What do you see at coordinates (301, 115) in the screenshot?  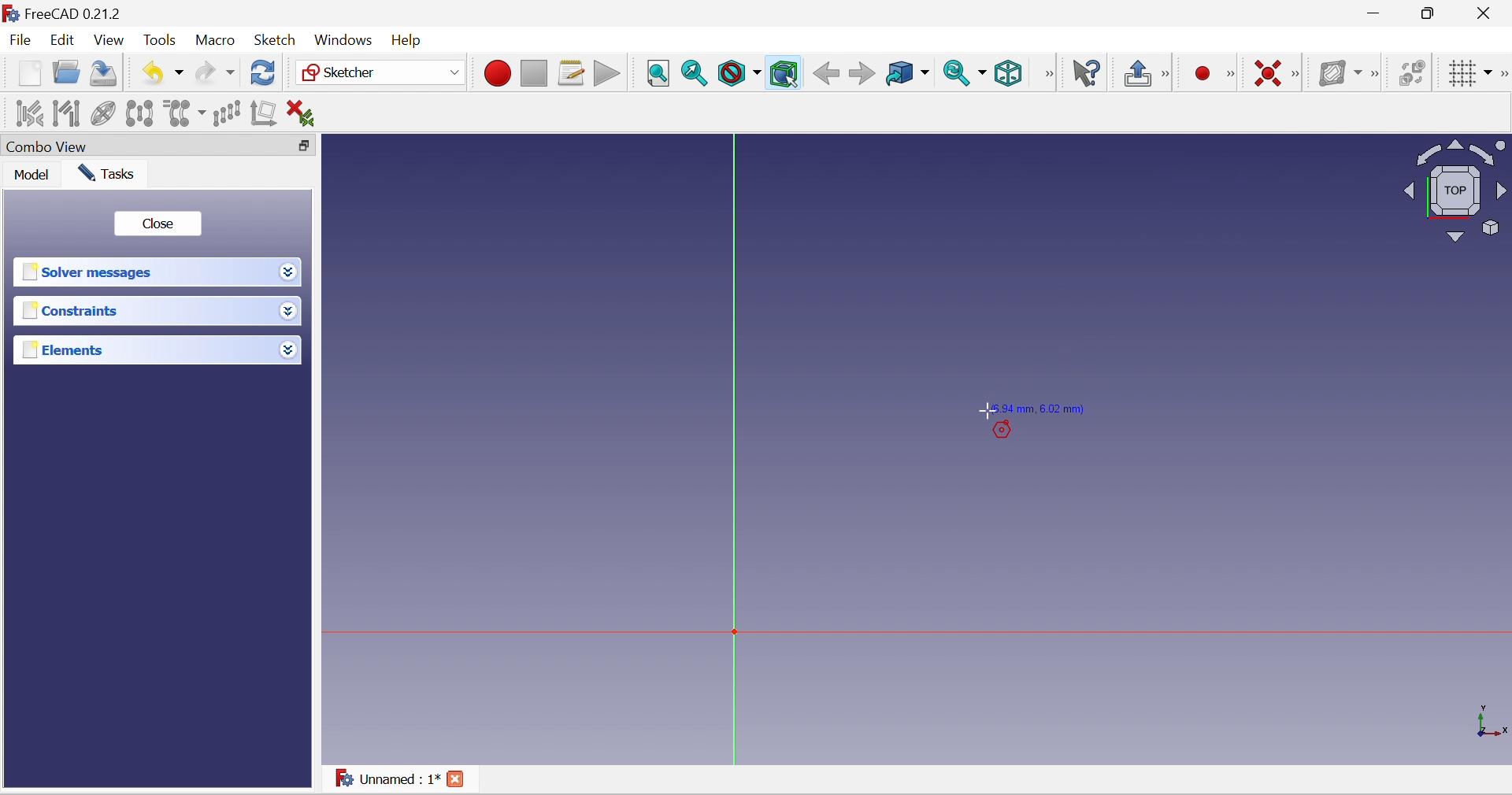 I see `Delete all constraints` at bounding box center [301, 115].